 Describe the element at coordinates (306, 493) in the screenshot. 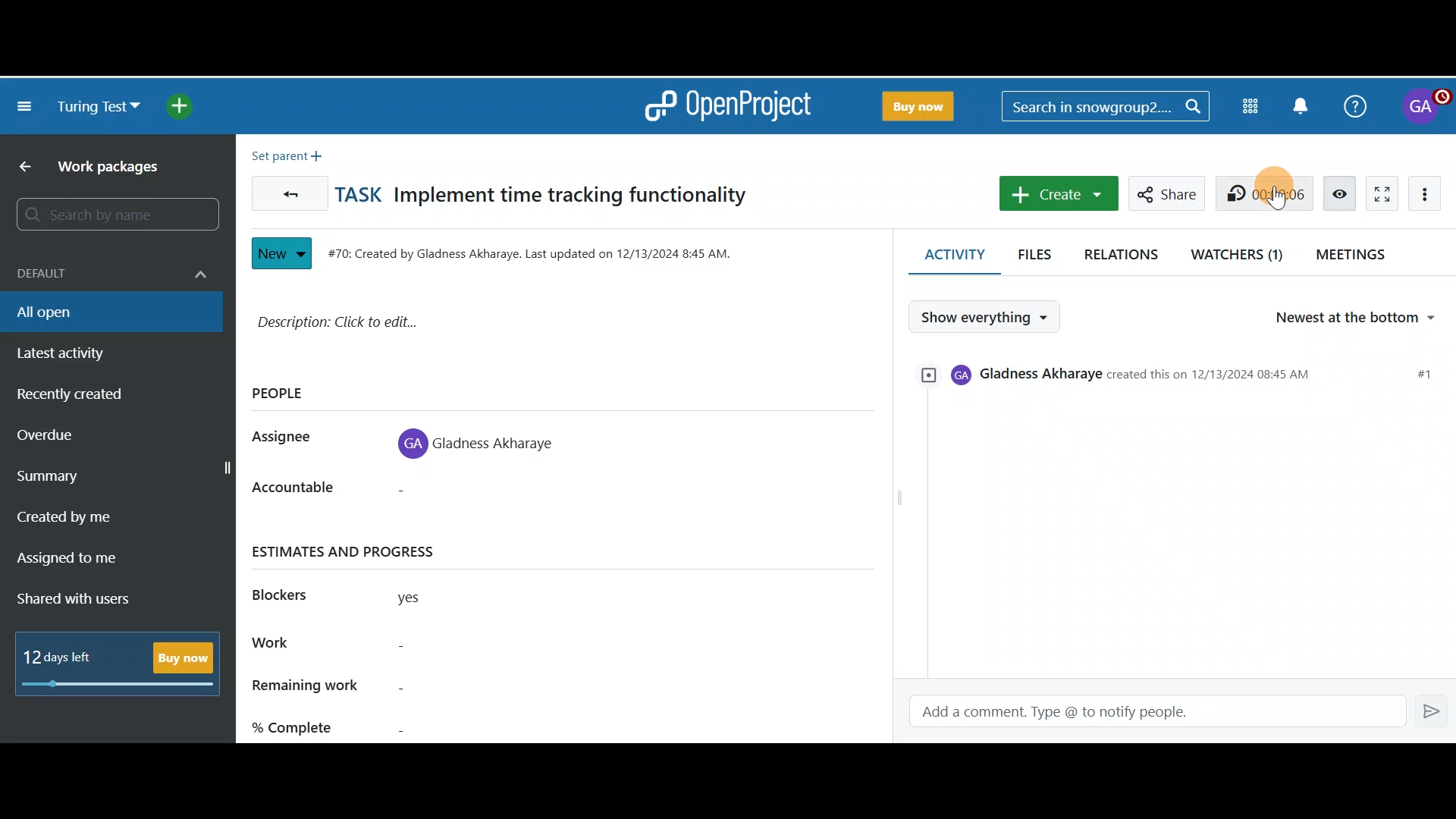

I see `Accountable` at that location.